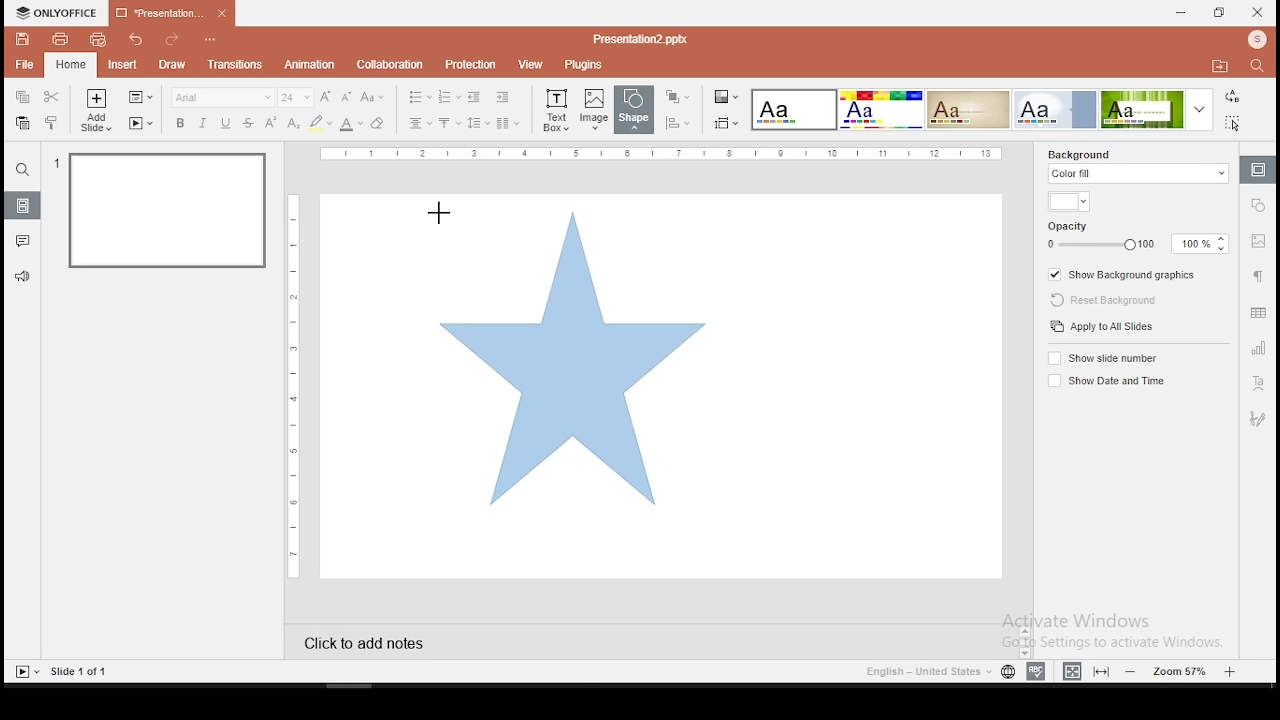 The height and width of the screenshot is (720, 1280). I want to click on customize quick access toolbar, so click(211, 36).